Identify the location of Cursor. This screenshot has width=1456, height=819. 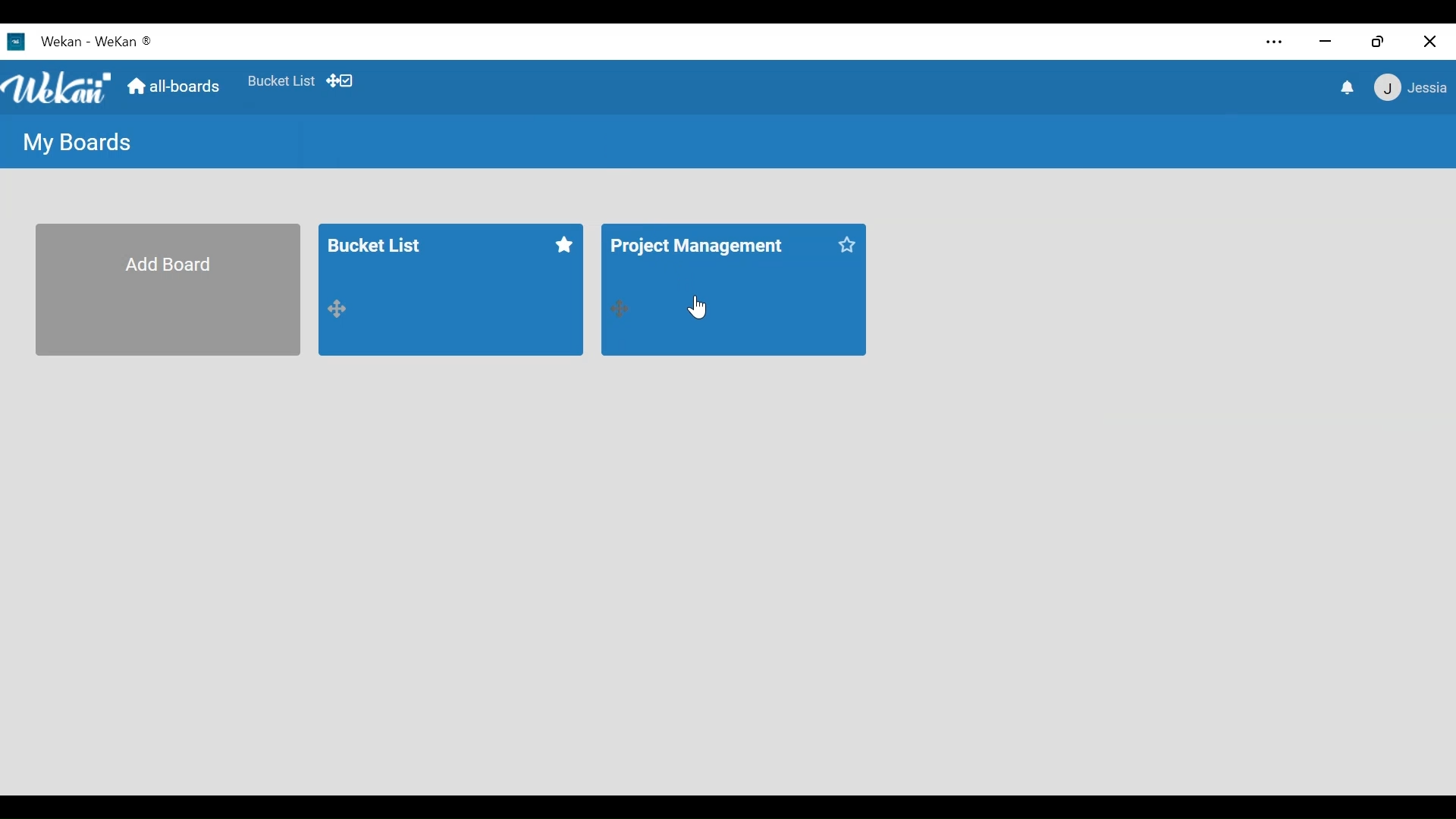
(699, 306).